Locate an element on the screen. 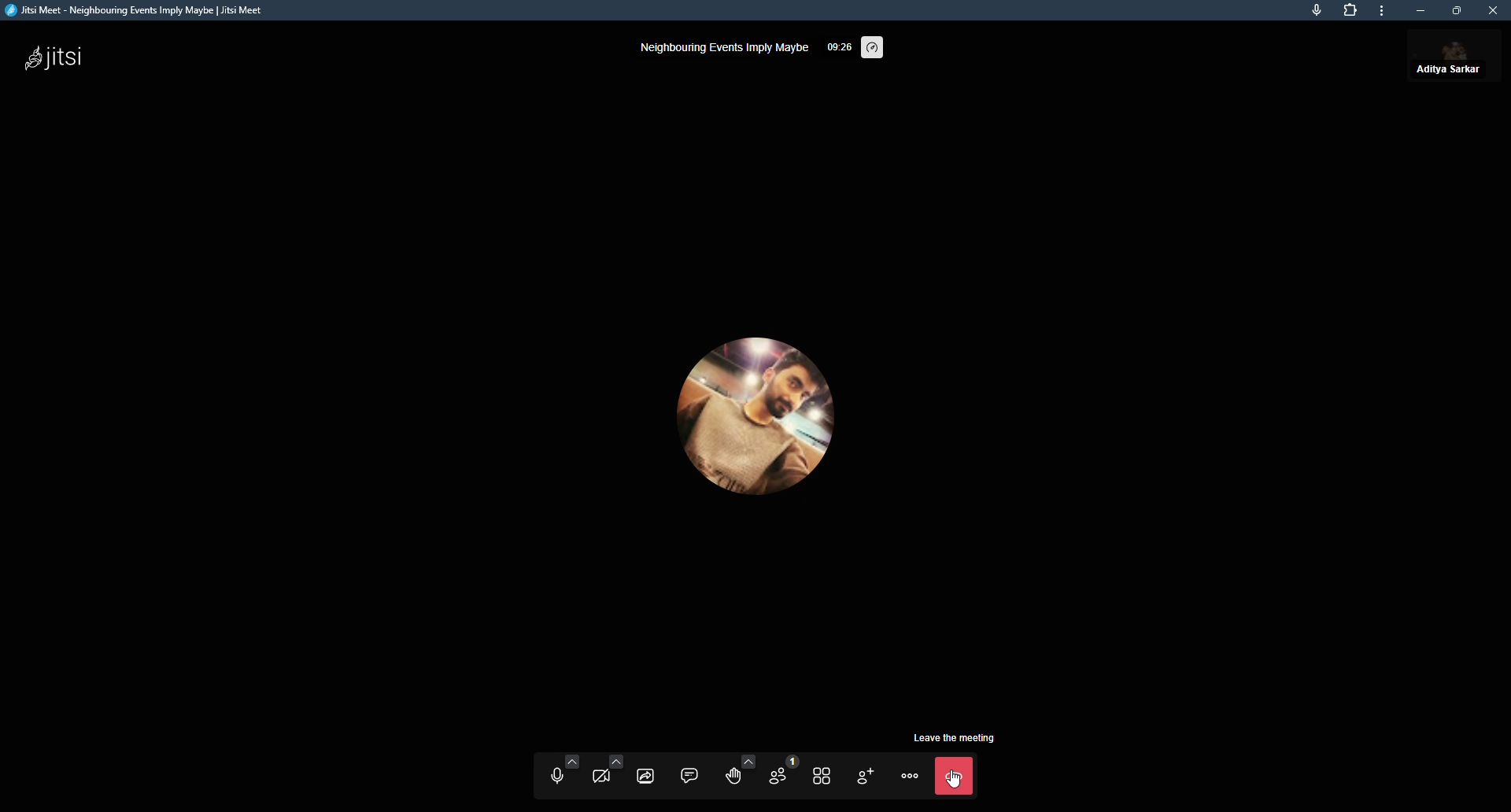  start screen sharing is located at coordinates (644, 776).